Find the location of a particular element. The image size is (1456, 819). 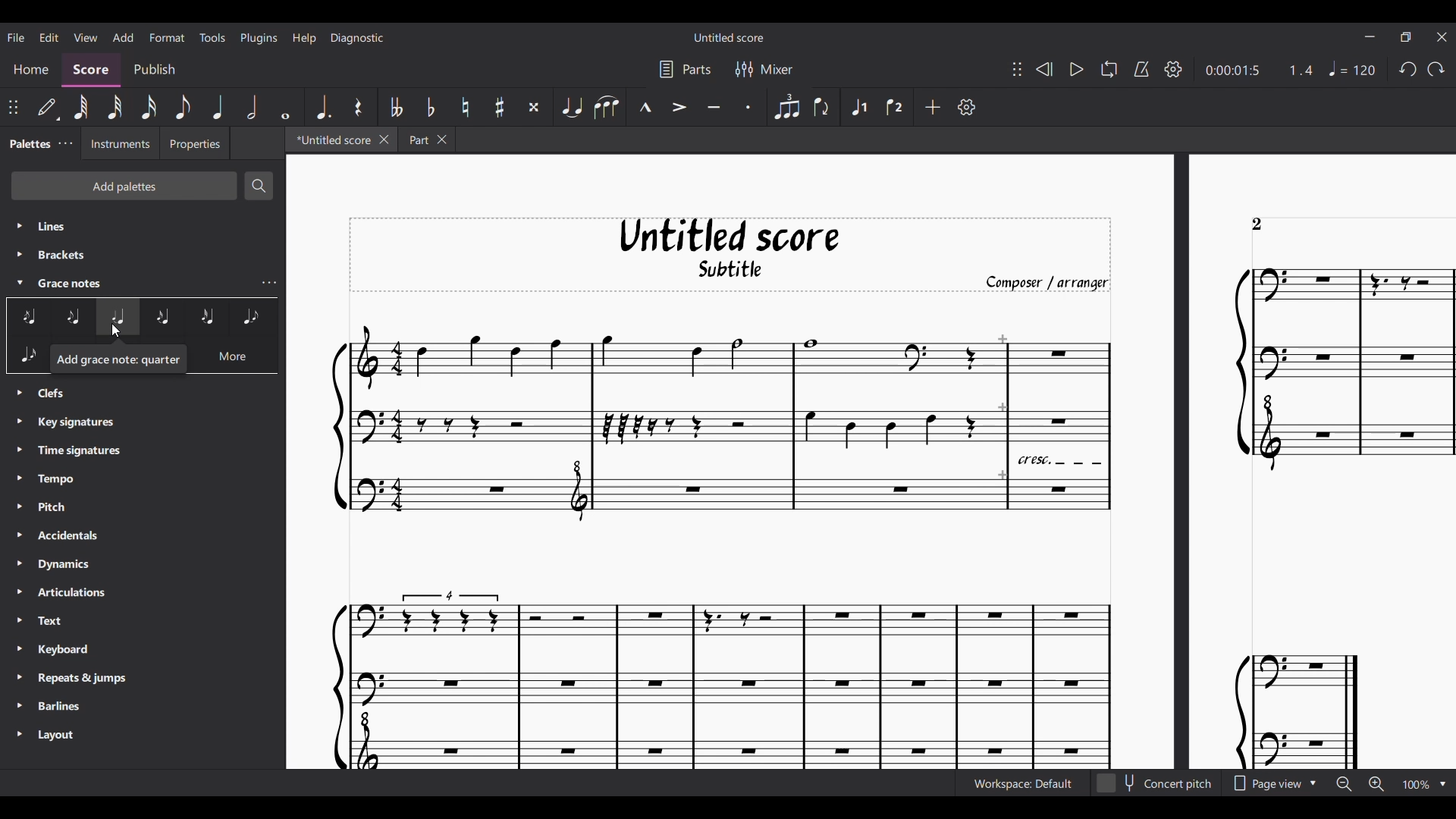

Tools menu is located at coordinates (213, 37).